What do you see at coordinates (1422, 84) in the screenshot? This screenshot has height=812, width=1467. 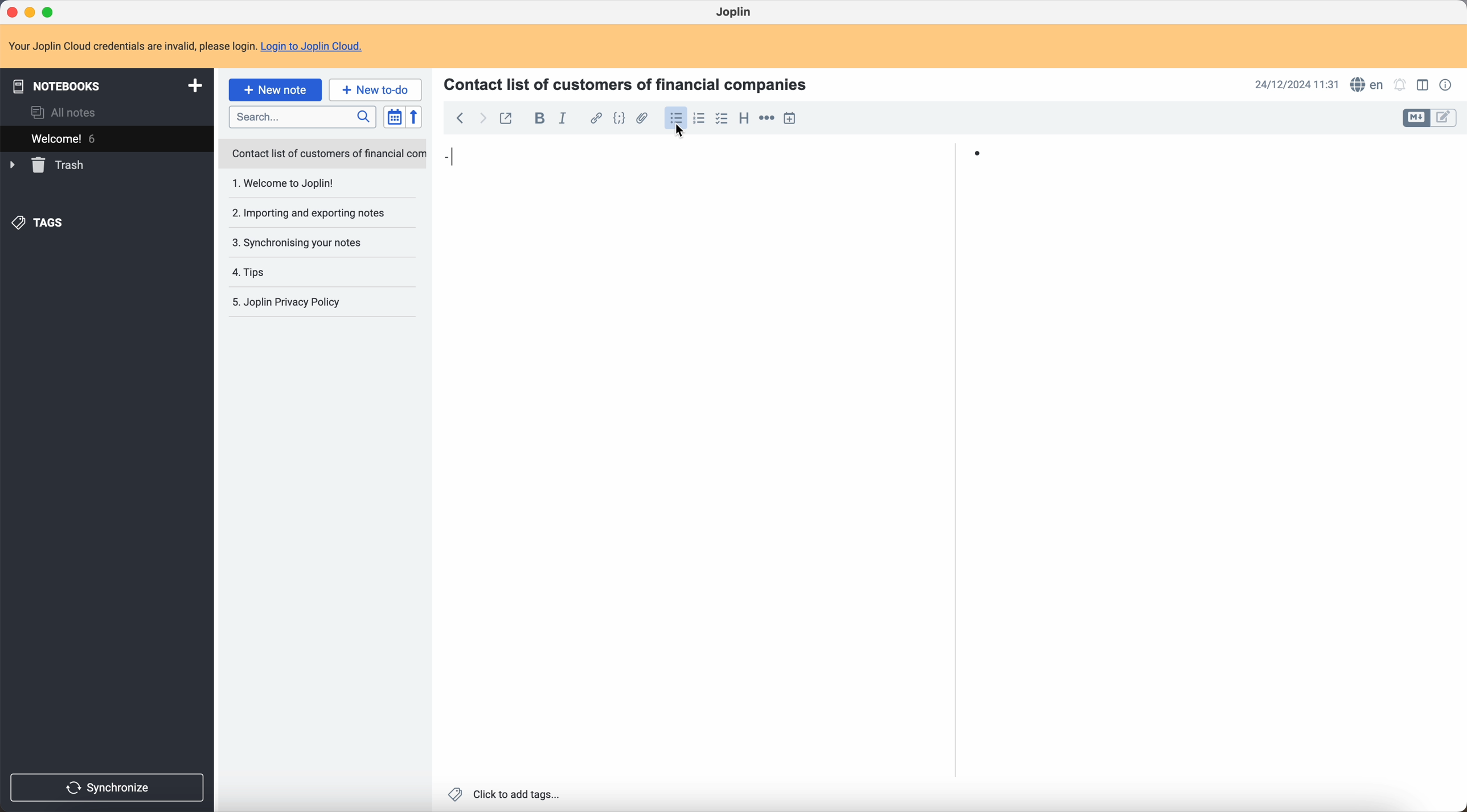 I see `toggle edit layout` at bounding box center [1422, 84].